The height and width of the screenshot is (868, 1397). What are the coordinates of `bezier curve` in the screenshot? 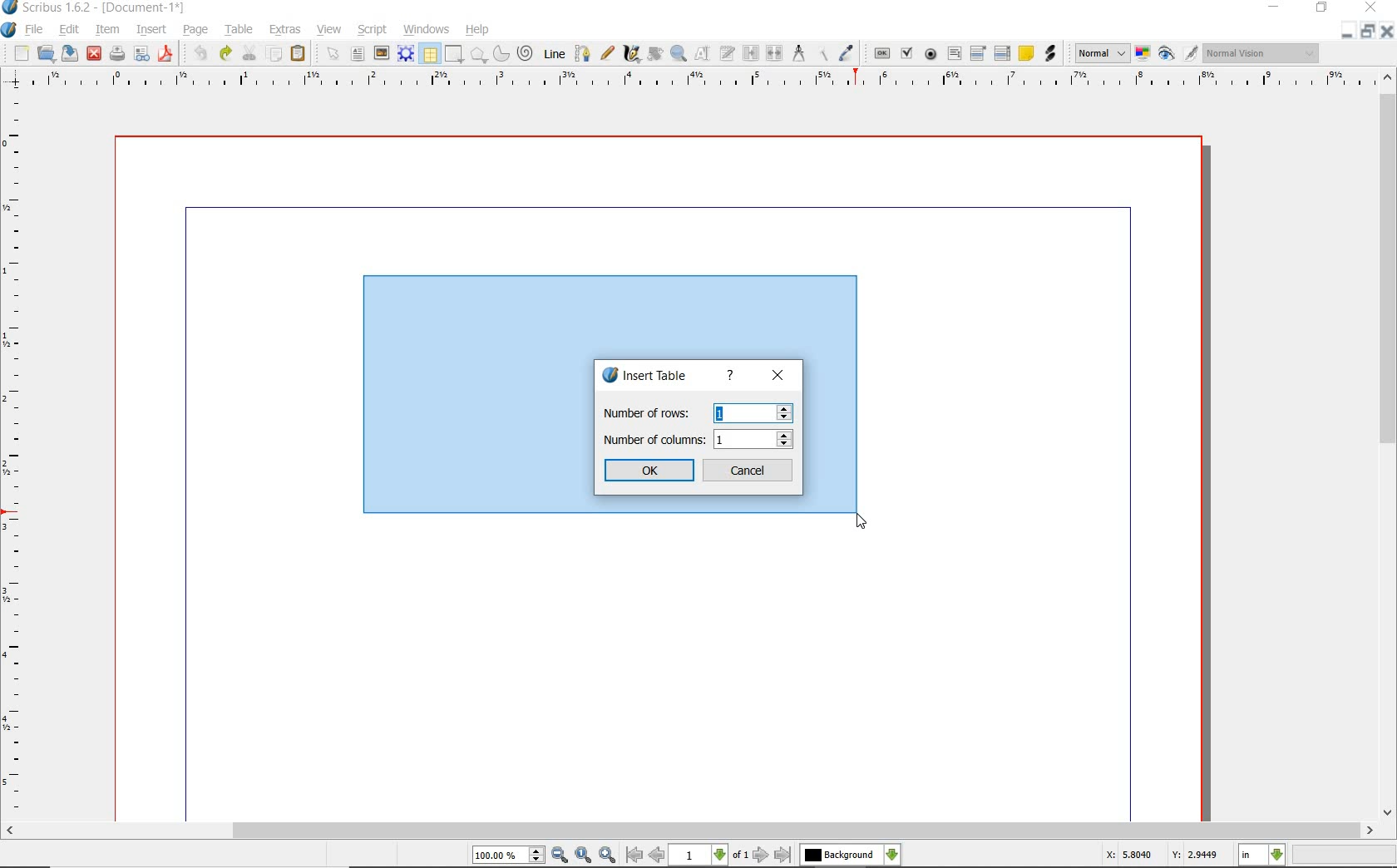 It's located at (582, 53).